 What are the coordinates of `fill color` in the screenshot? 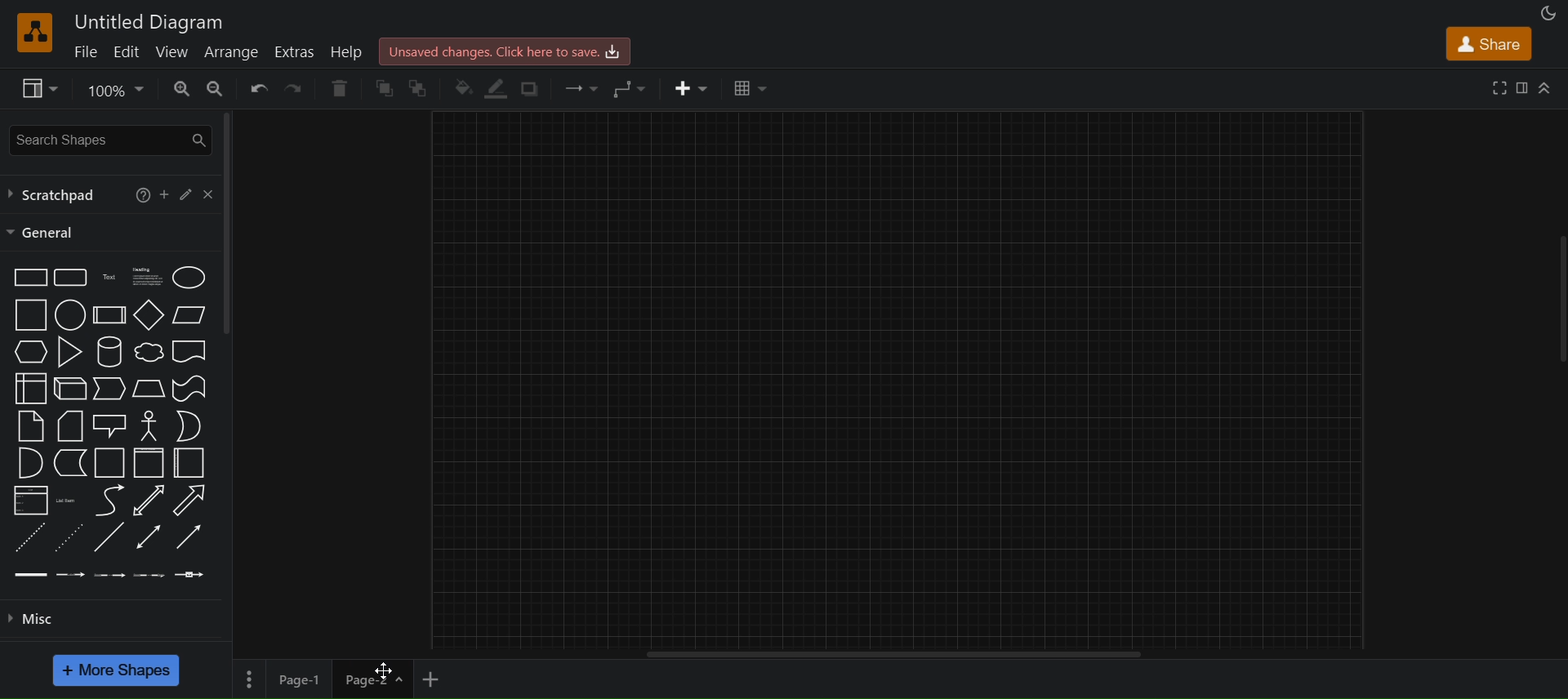 It's located at (463, 86).